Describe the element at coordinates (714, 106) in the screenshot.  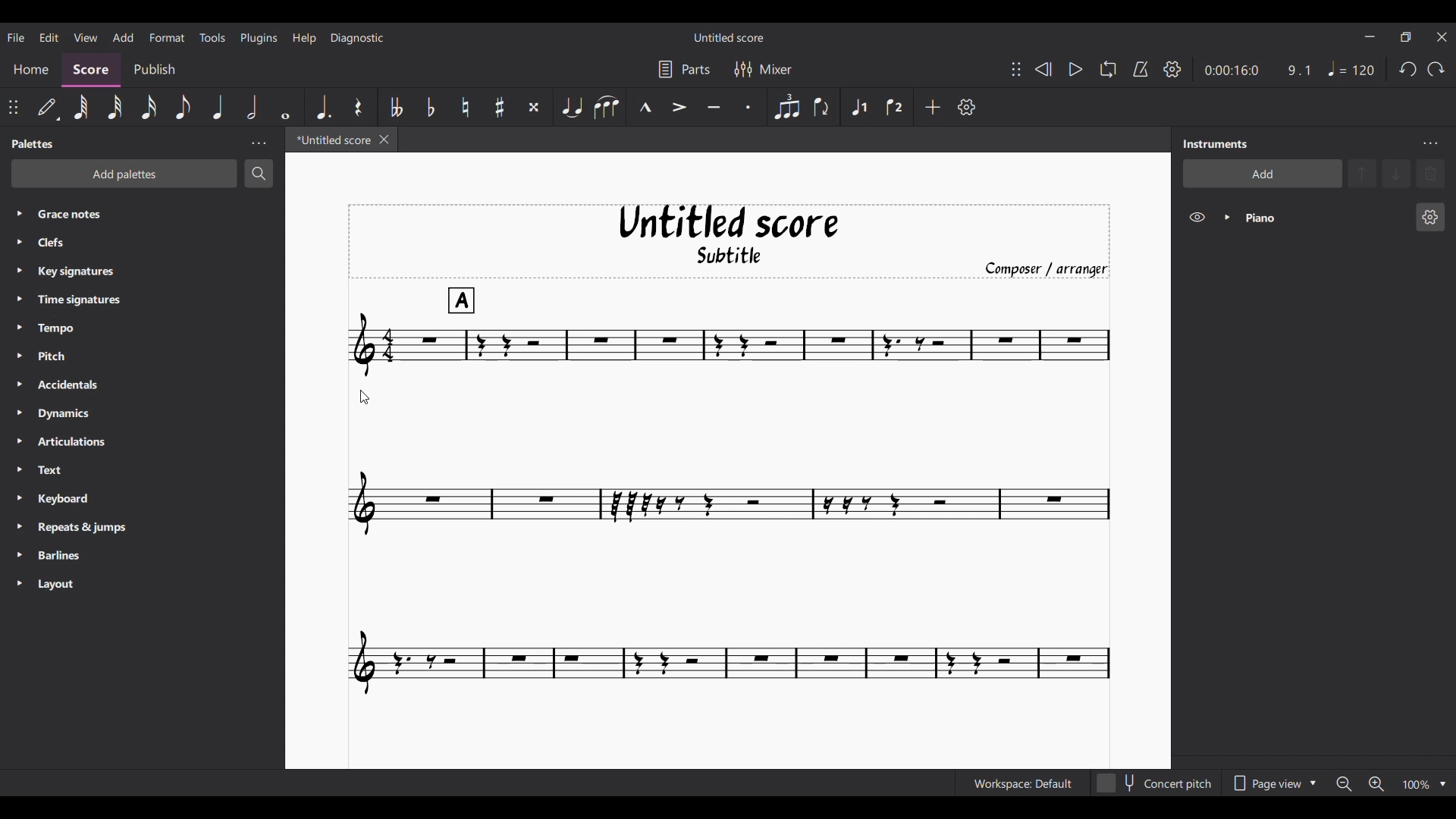
I see `Tenuto` at that location.